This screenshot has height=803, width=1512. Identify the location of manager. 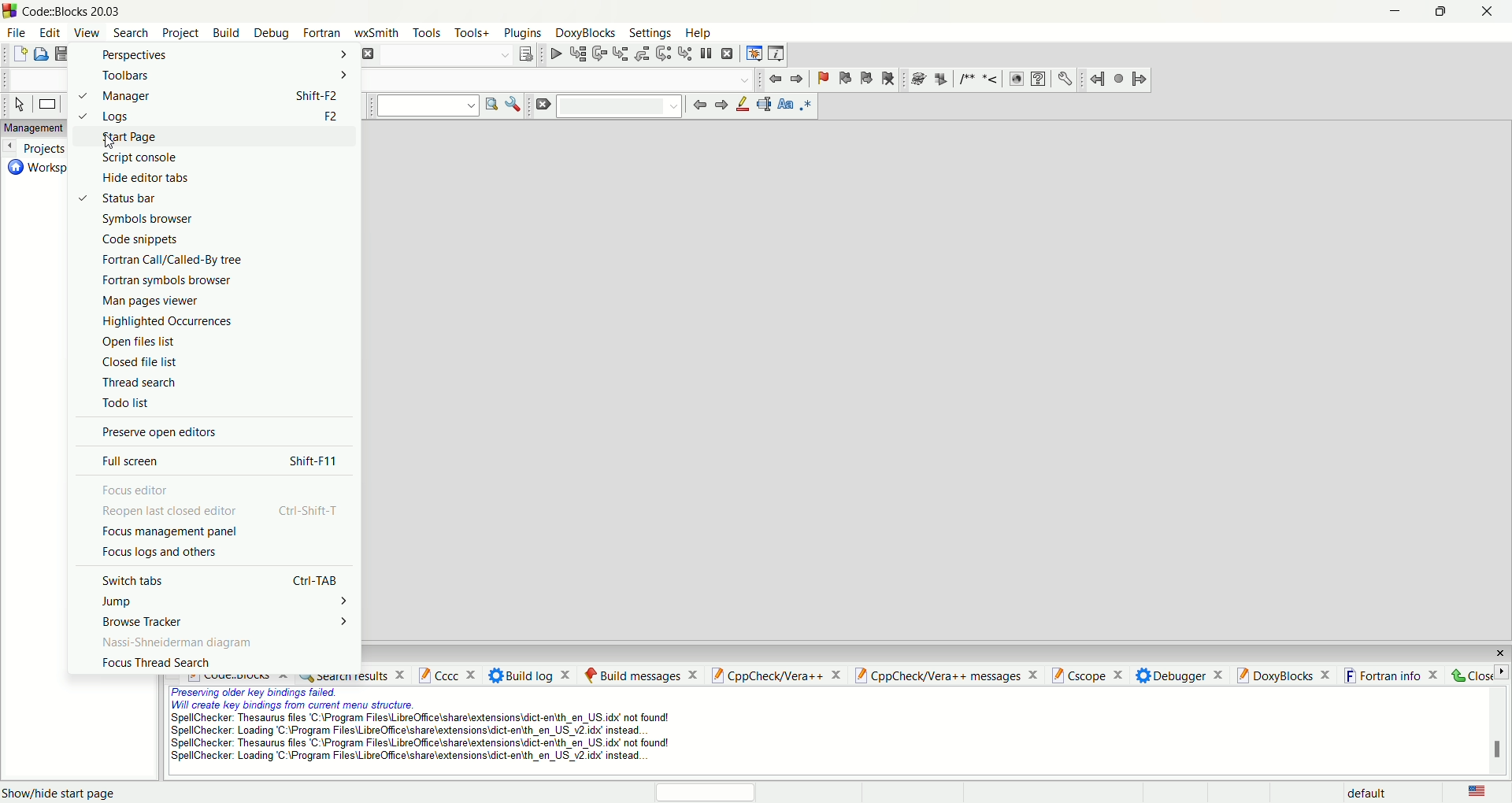
(206, 96).